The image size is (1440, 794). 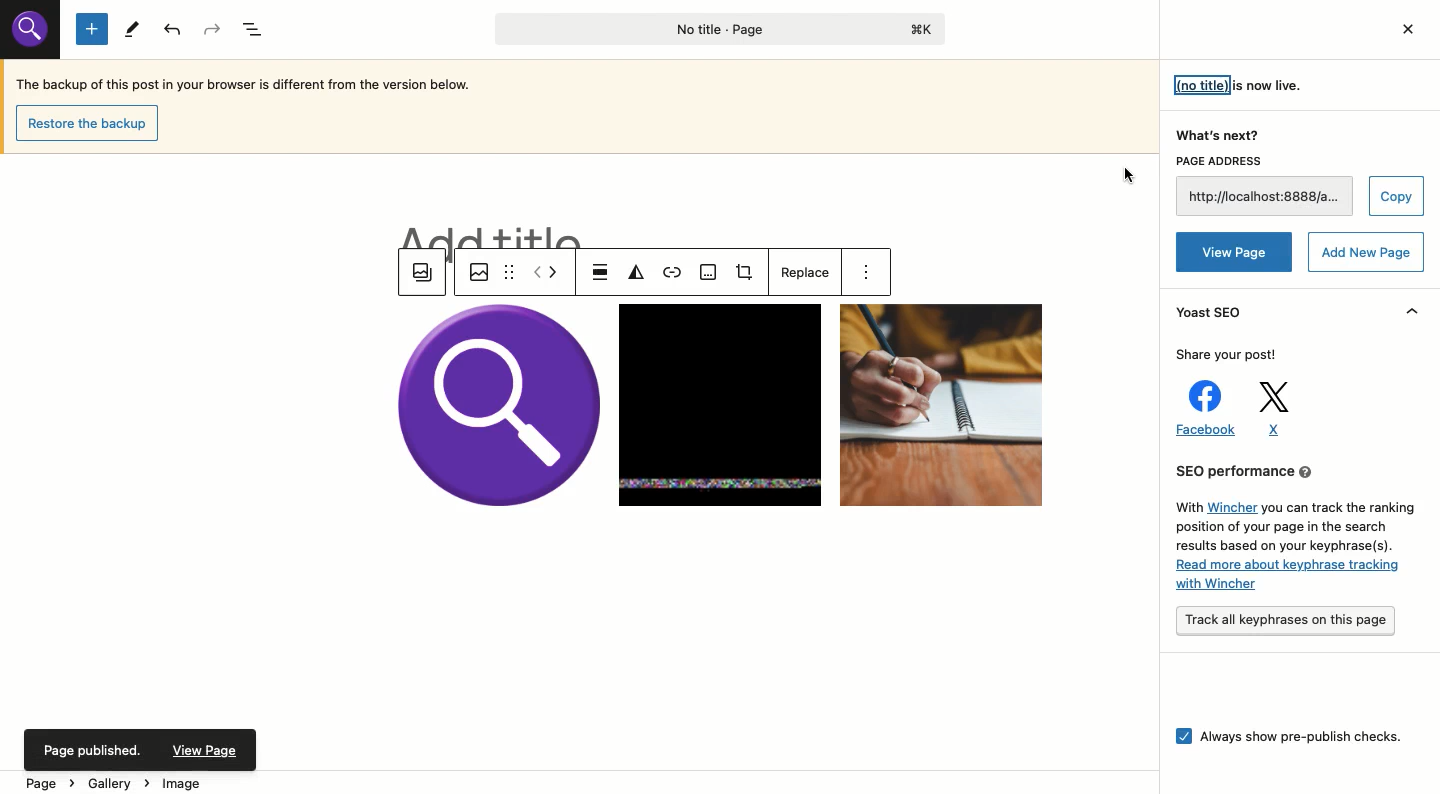 What do you see at coordinates (546, 273) in the screenshot?
I see `Move left right` at bounding box center [546, 273].